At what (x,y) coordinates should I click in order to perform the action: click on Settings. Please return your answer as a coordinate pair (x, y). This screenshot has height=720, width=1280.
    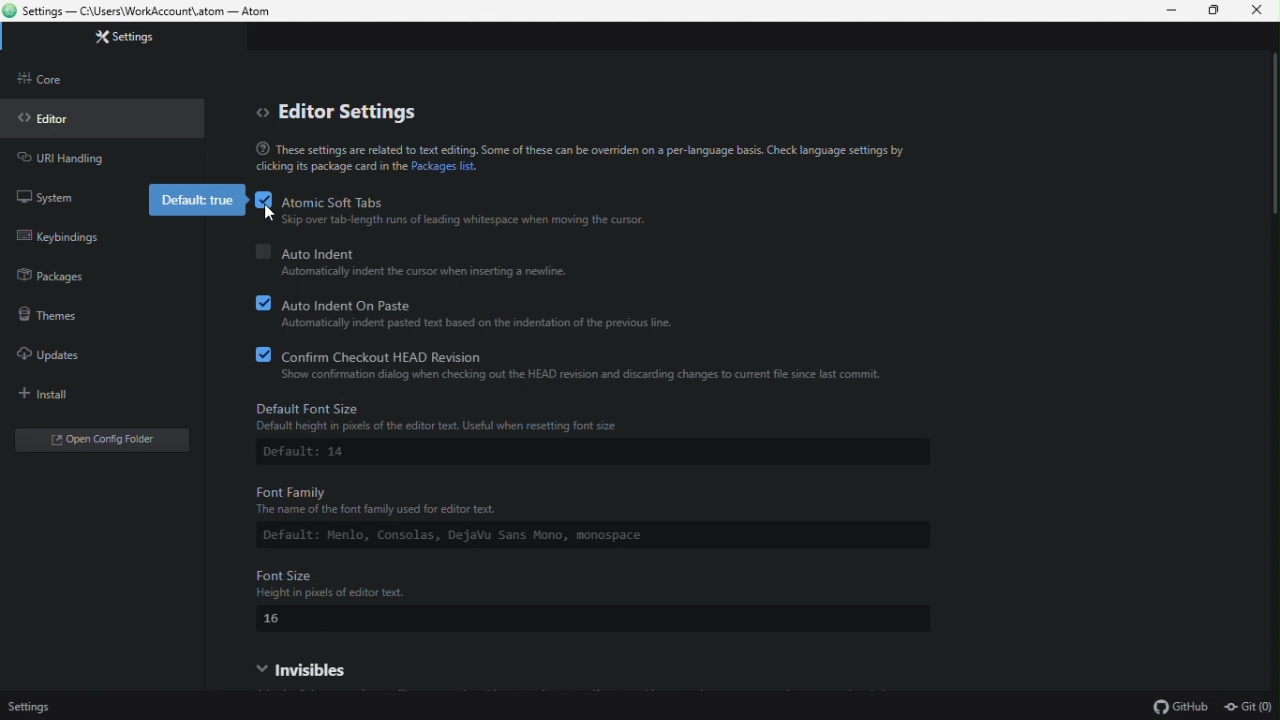
    Looking at the image, I should click on (141, 38).